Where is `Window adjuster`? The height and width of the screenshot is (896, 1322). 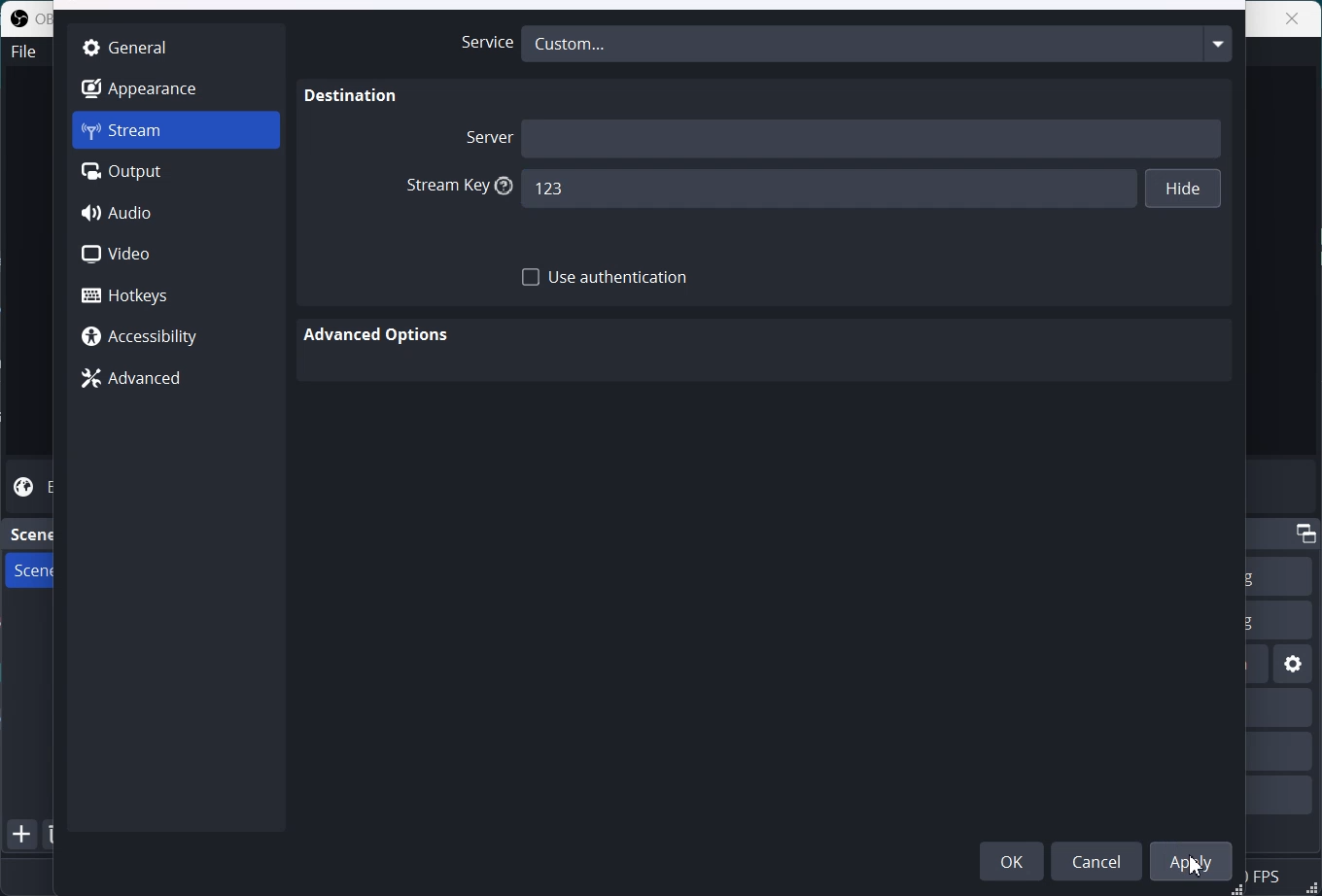
Window adjuster is located at coordinates (1238, 889).